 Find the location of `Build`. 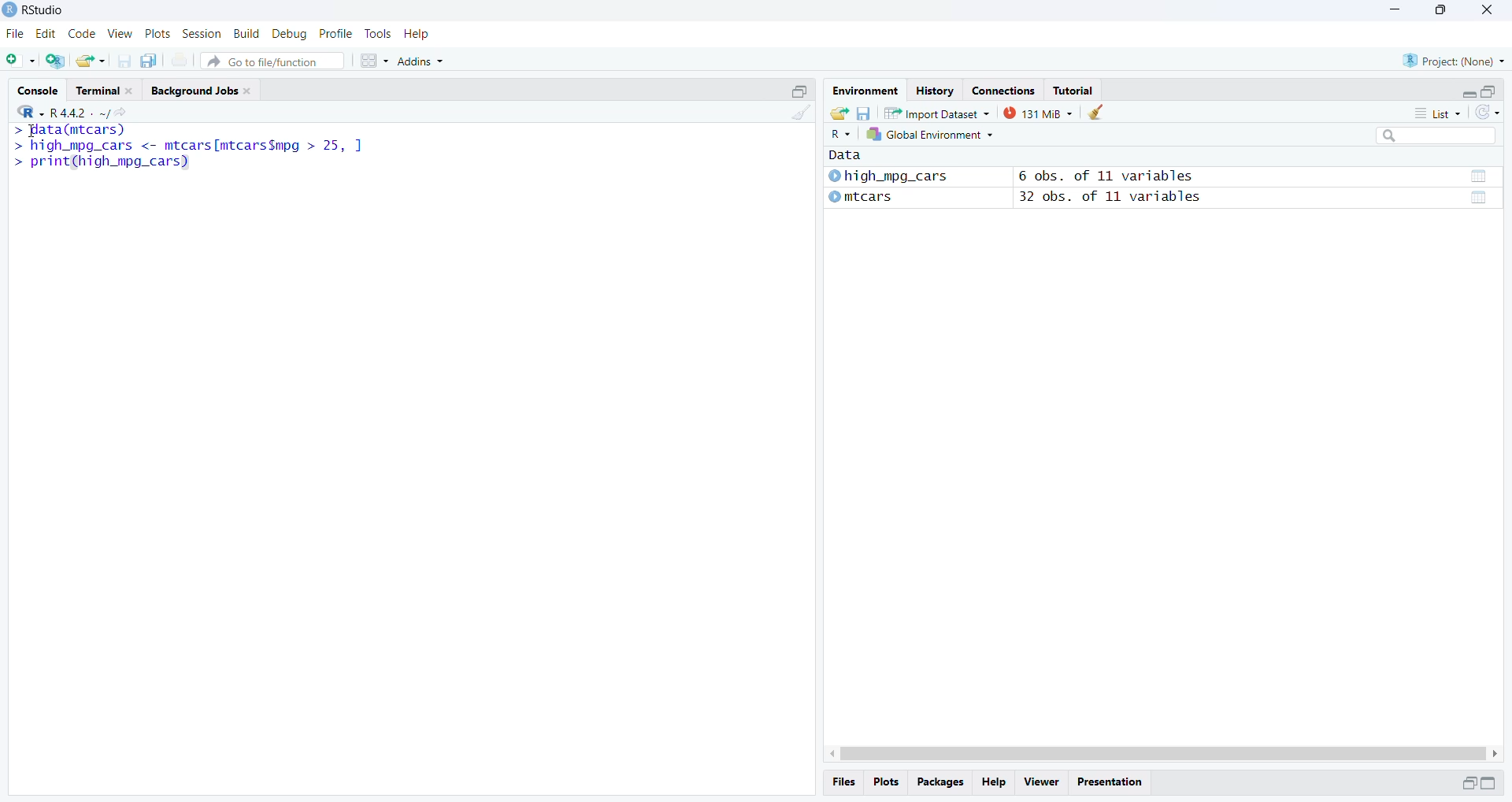

Build is located at coordinates (246, 33).